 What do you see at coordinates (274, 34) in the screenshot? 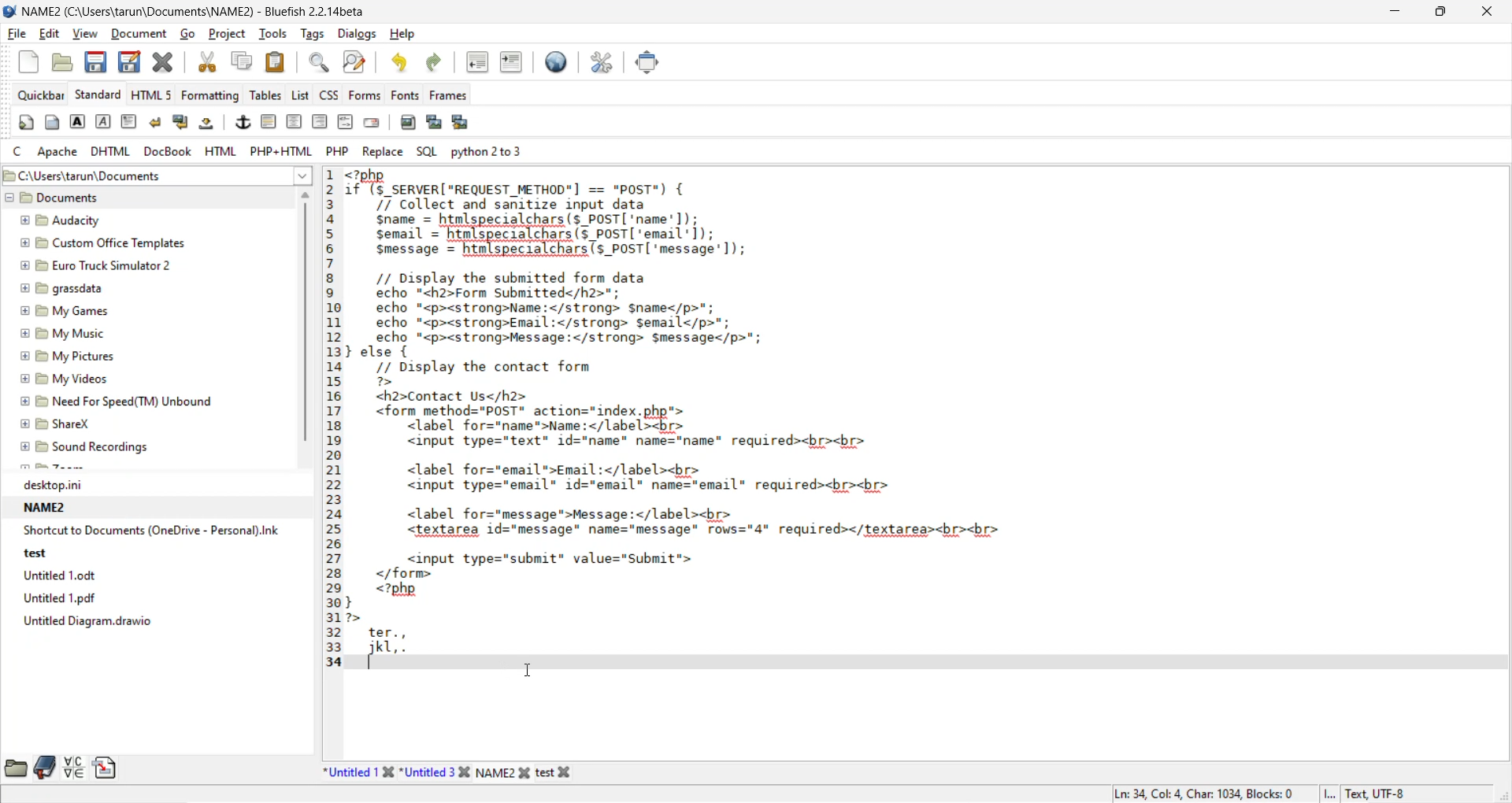
I see `tools` at bounding box center [274, 34].